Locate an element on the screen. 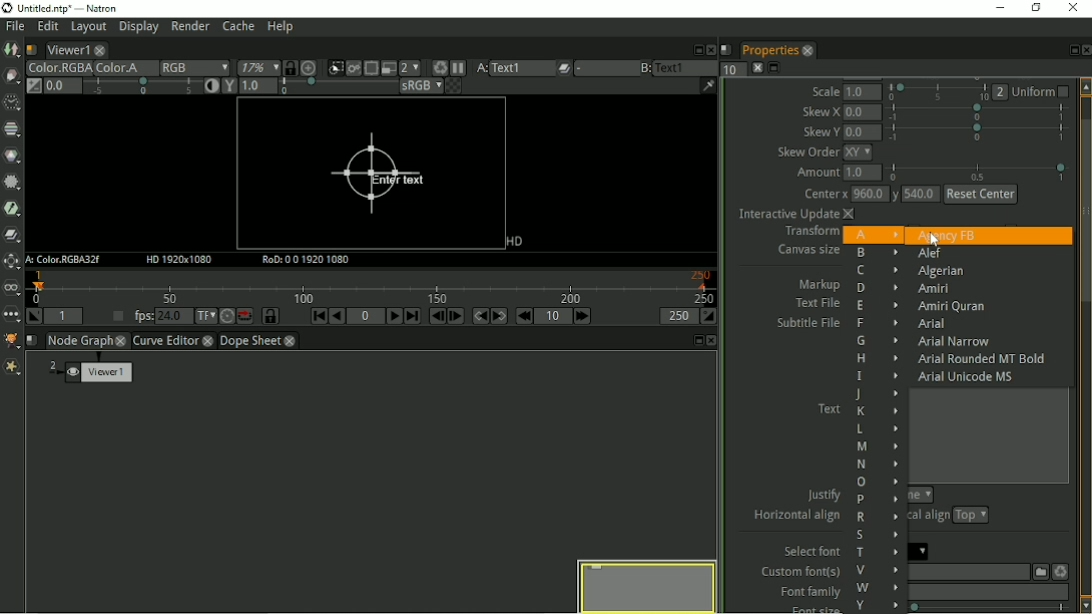  K is located at coordinates (876, 411).